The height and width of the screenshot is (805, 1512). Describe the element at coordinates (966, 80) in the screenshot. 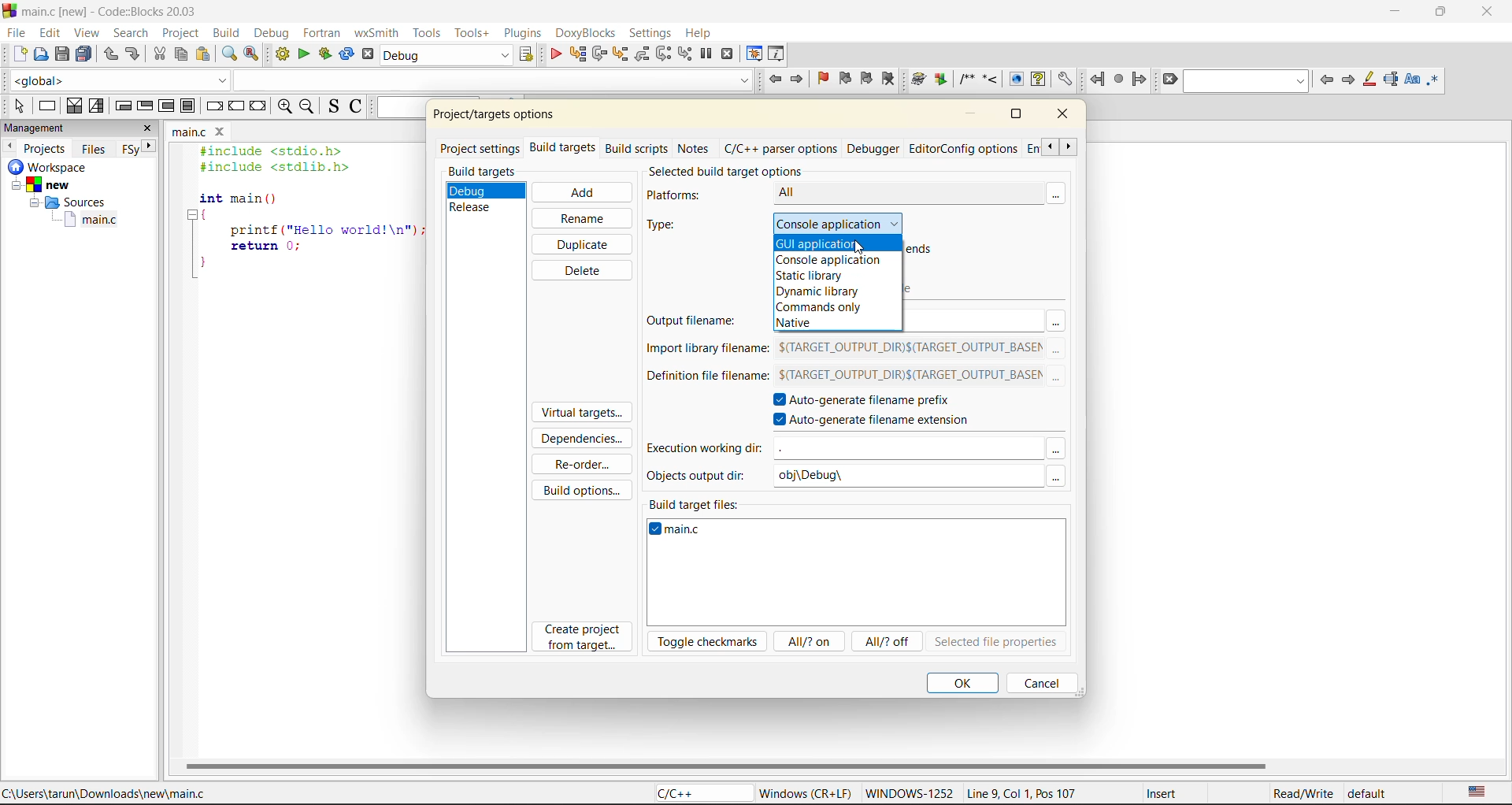

I see `Insert a comment block at the current line` at that location.